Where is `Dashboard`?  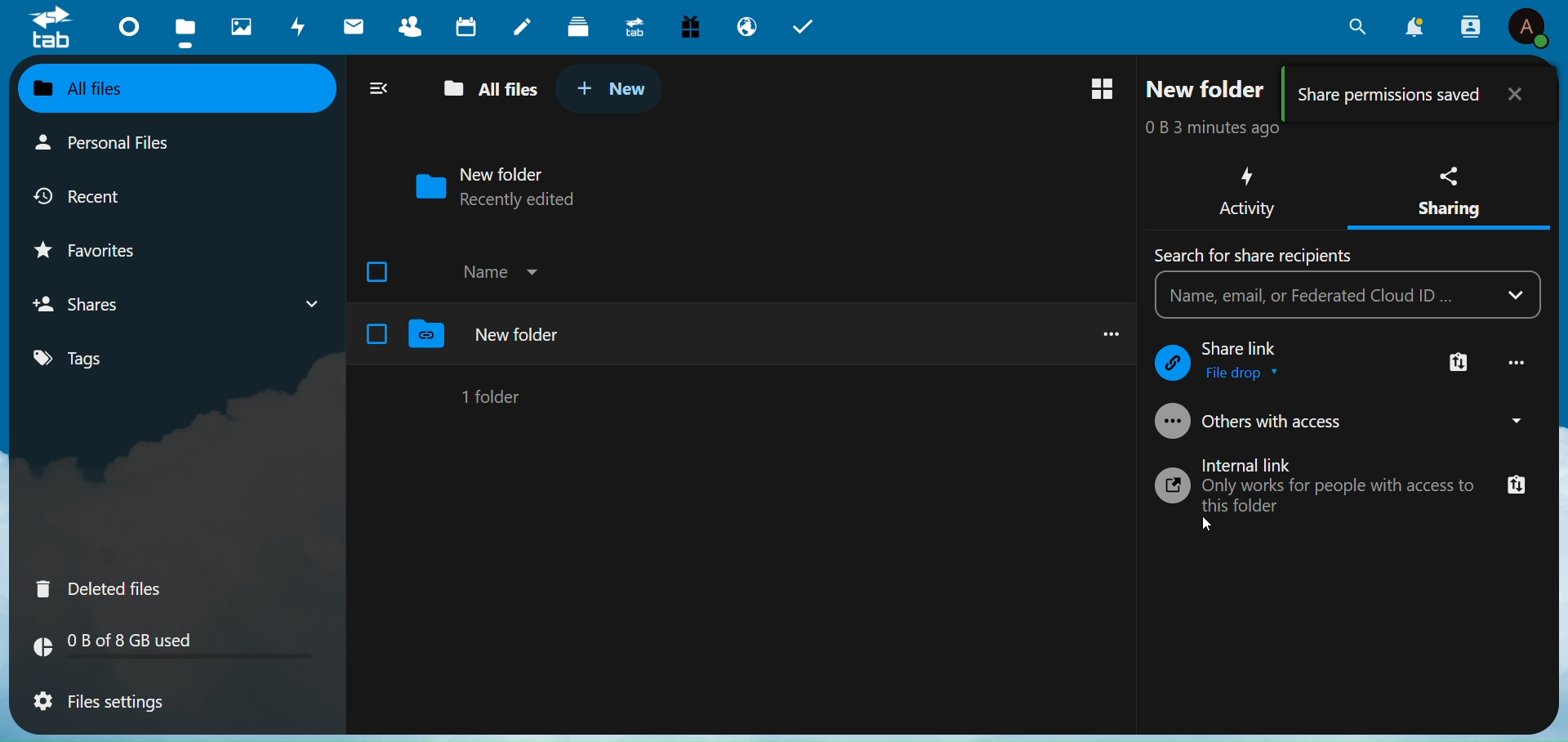 Dashboard is located at coordinates (123, 25).